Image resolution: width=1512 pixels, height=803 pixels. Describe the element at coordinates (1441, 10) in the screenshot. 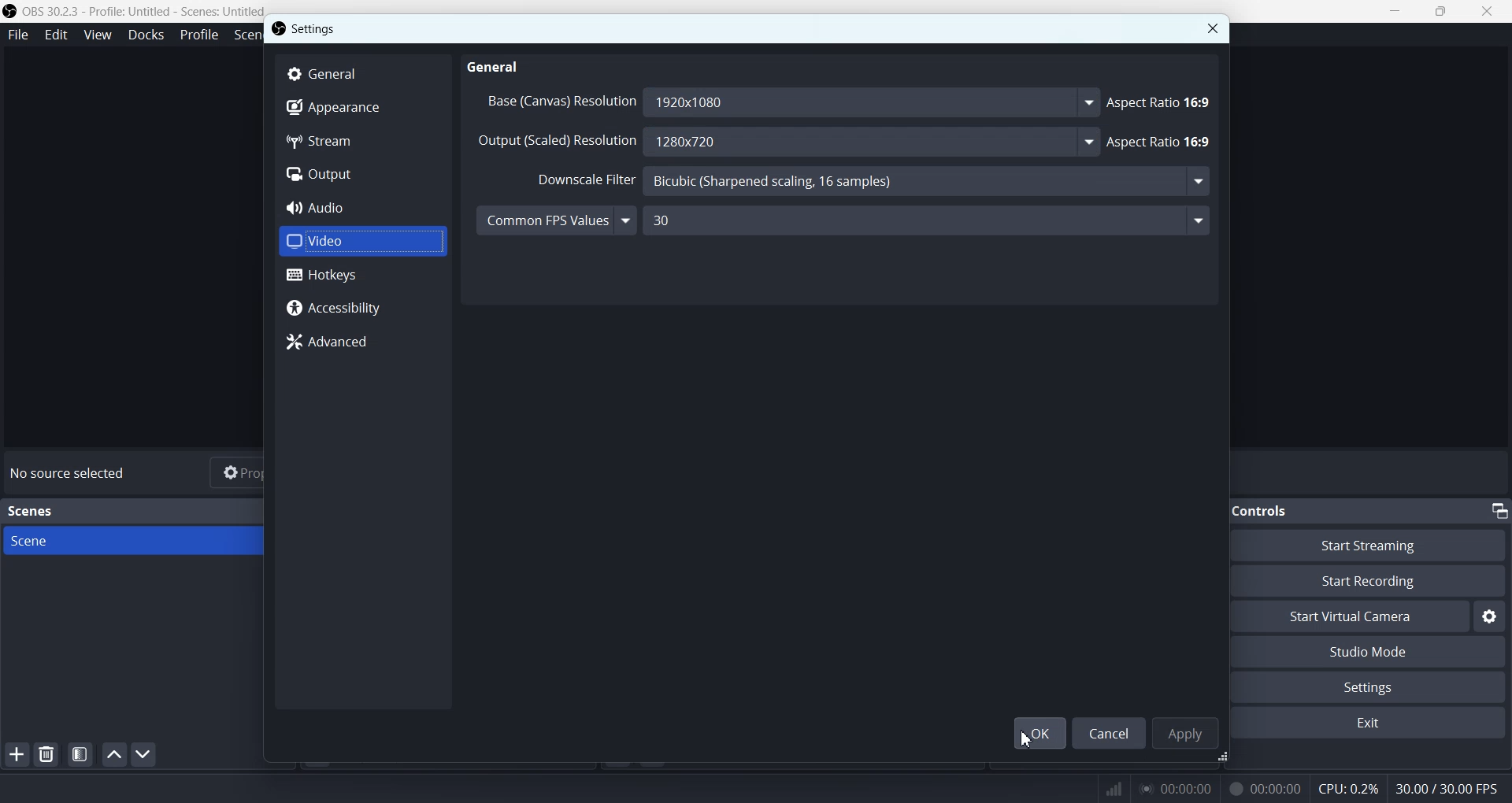

I see `Maximize` at that location.